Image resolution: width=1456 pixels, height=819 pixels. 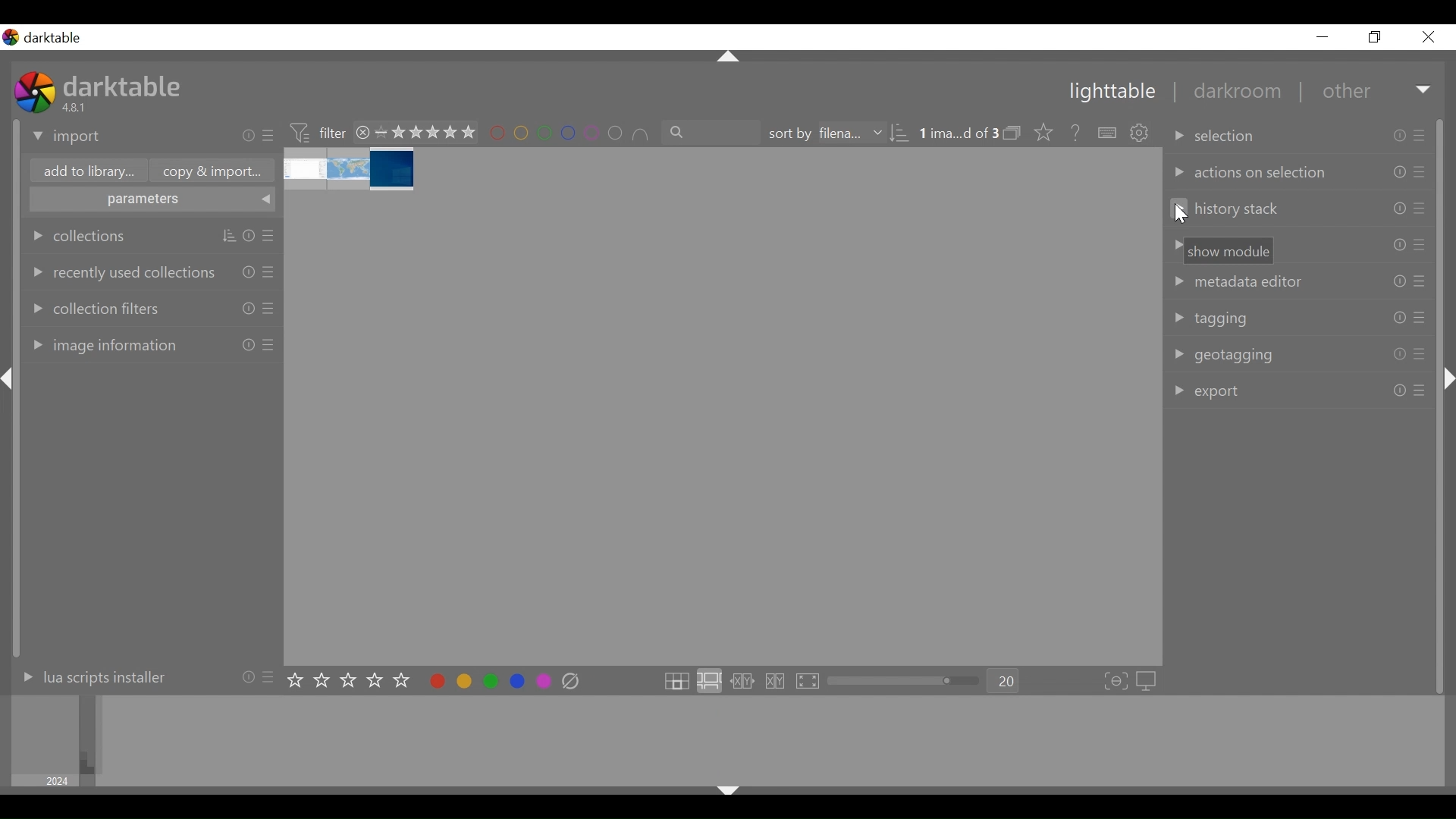 What do you see at coordinates (1398, 209) in the screenshot?
I see `info` at bounding box center [1398, 209].